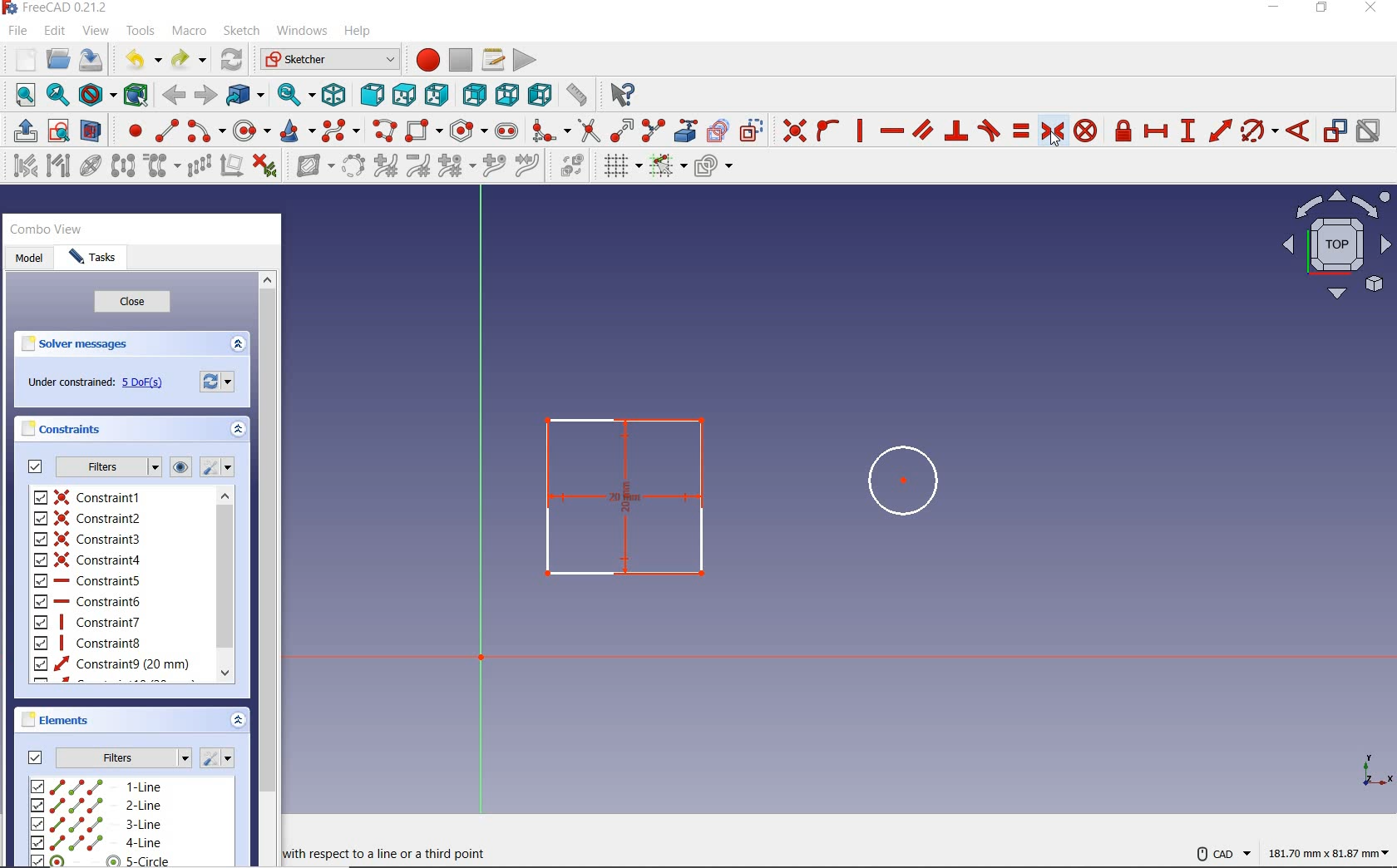 The height and width of the screenshot is (868, 1397). What do you see at coordinates (335, 96) in the screenshot?
I see `isometric` at bounding box center [335, 96].